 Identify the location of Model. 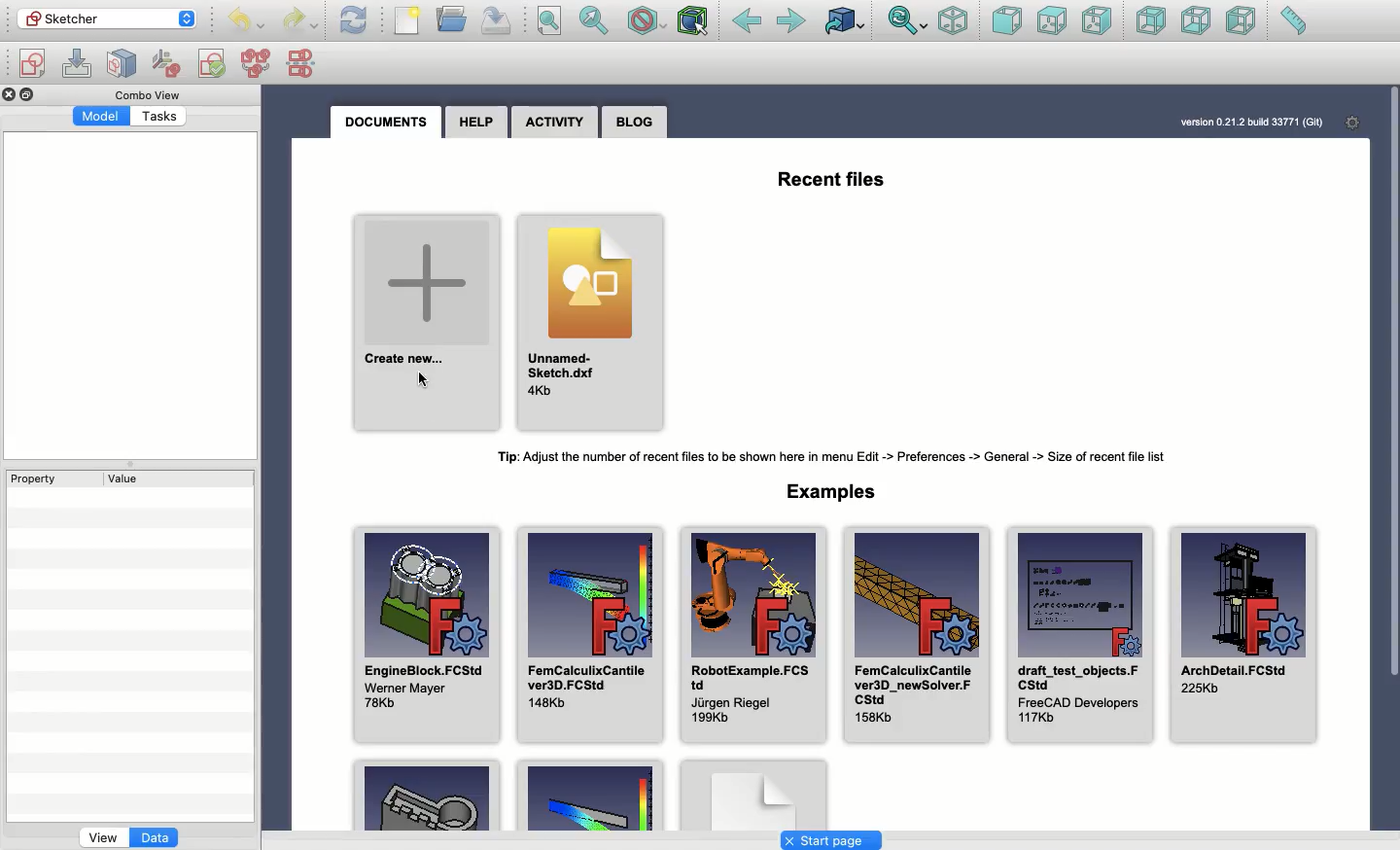
(101, 118).